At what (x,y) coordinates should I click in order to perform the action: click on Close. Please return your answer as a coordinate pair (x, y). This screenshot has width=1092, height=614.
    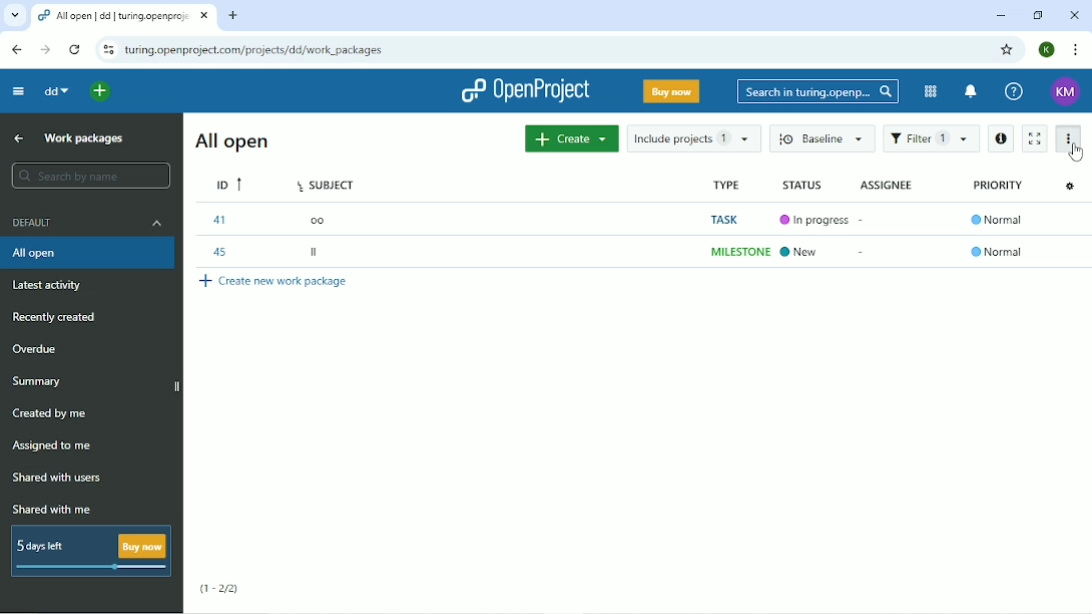
    Looking at the image, I should click on (1076, 15).